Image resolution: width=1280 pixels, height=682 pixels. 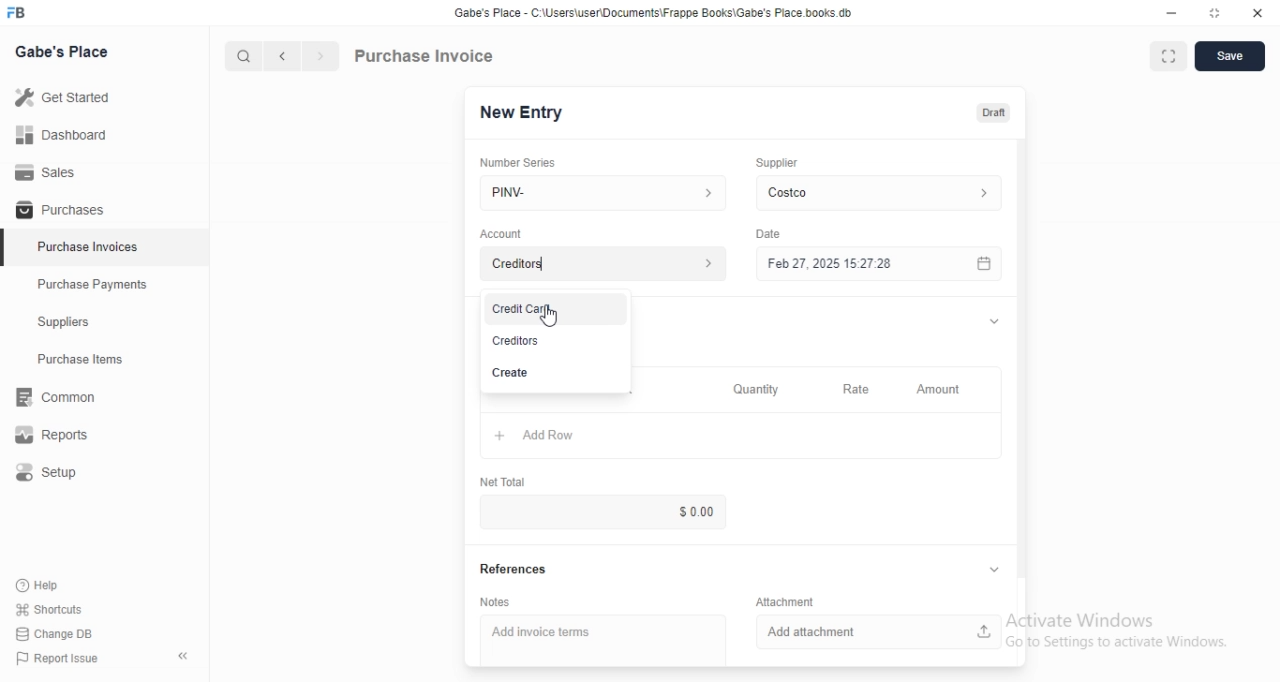 What do you see at coordinates (548, 315) in the screenshot?
I see `Cursor` at bounding box center [548, 315].